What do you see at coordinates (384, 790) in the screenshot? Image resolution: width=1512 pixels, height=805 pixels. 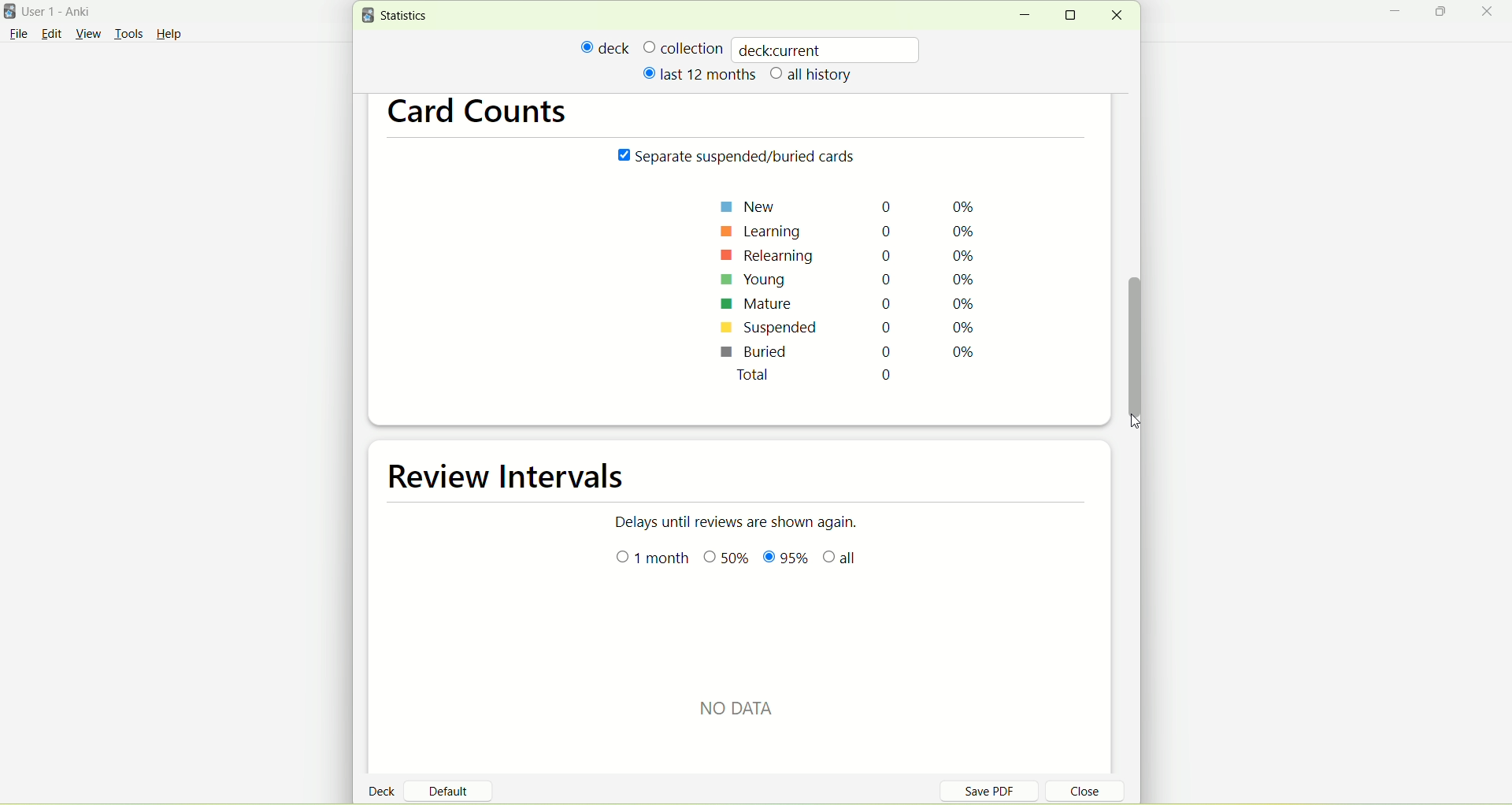 I see `deck` at bounding box center [384, 790].